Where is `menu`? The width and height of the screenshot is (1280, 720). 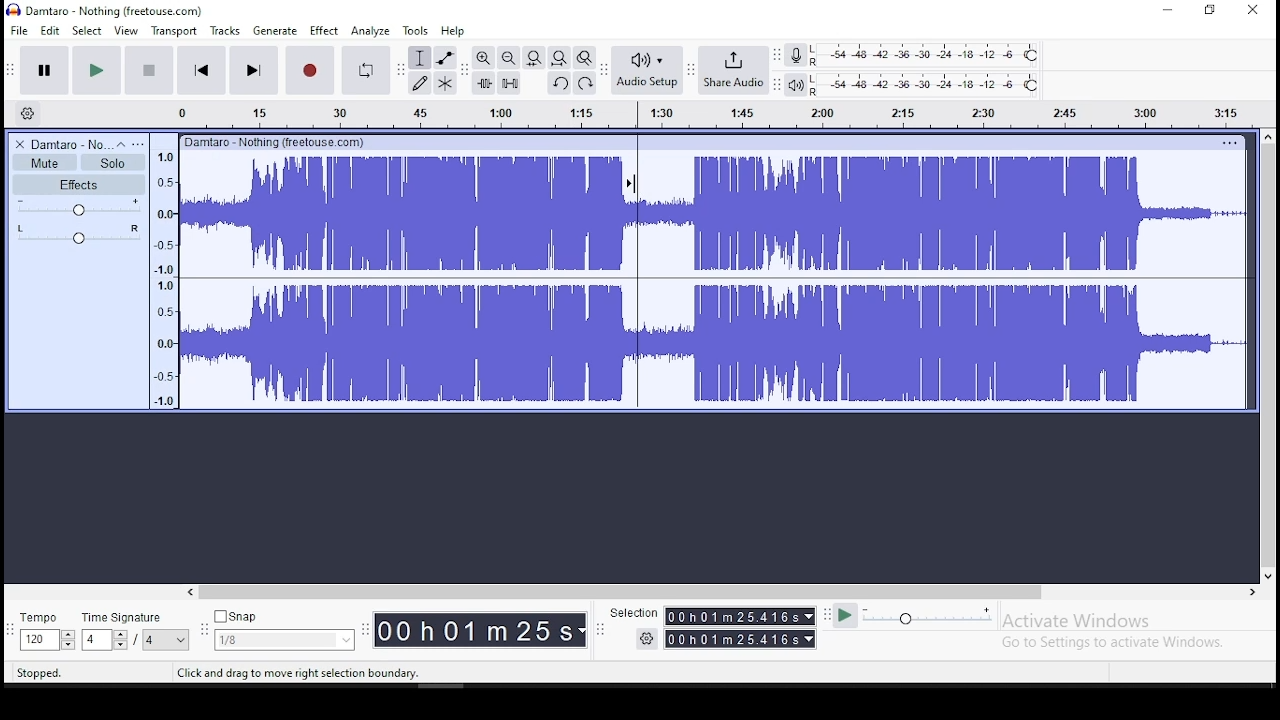
menu is located at coordinates (285, 640).